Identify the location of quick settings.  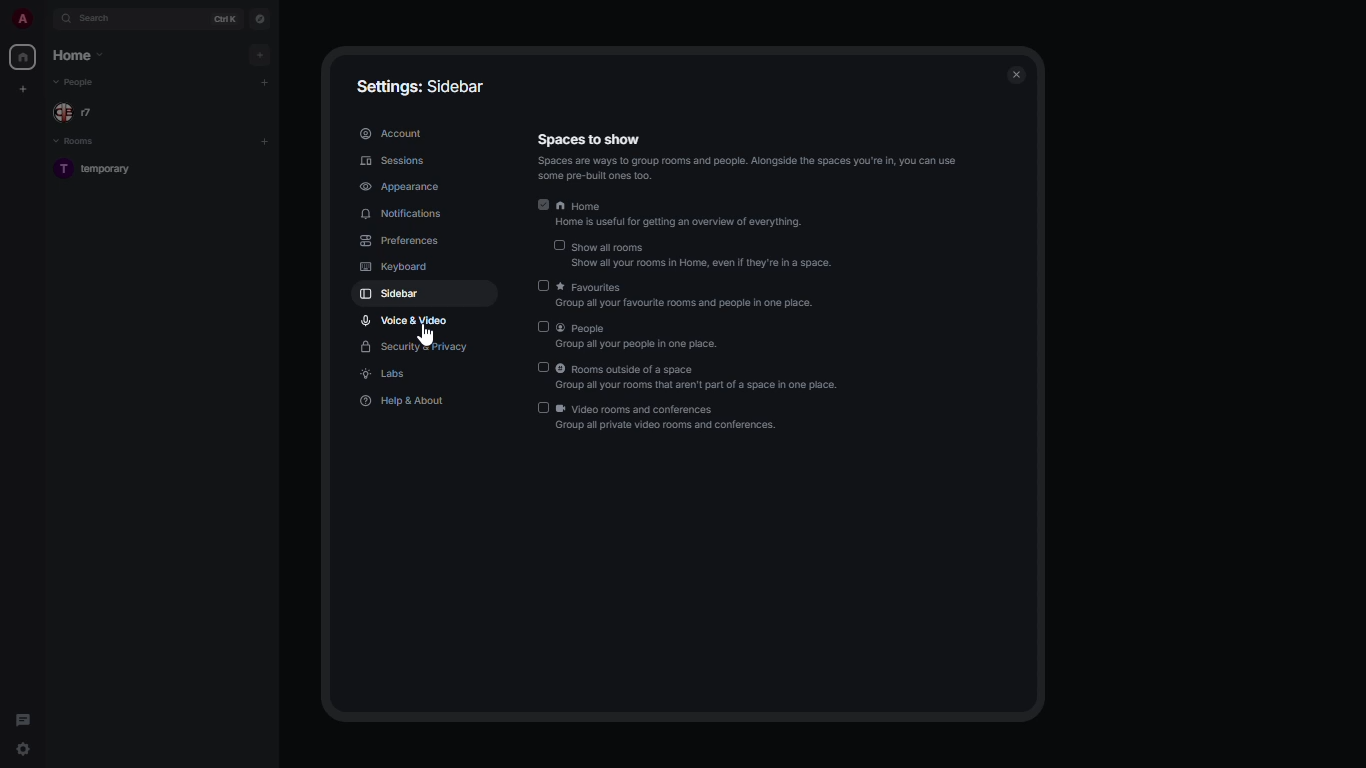
(21, 748).